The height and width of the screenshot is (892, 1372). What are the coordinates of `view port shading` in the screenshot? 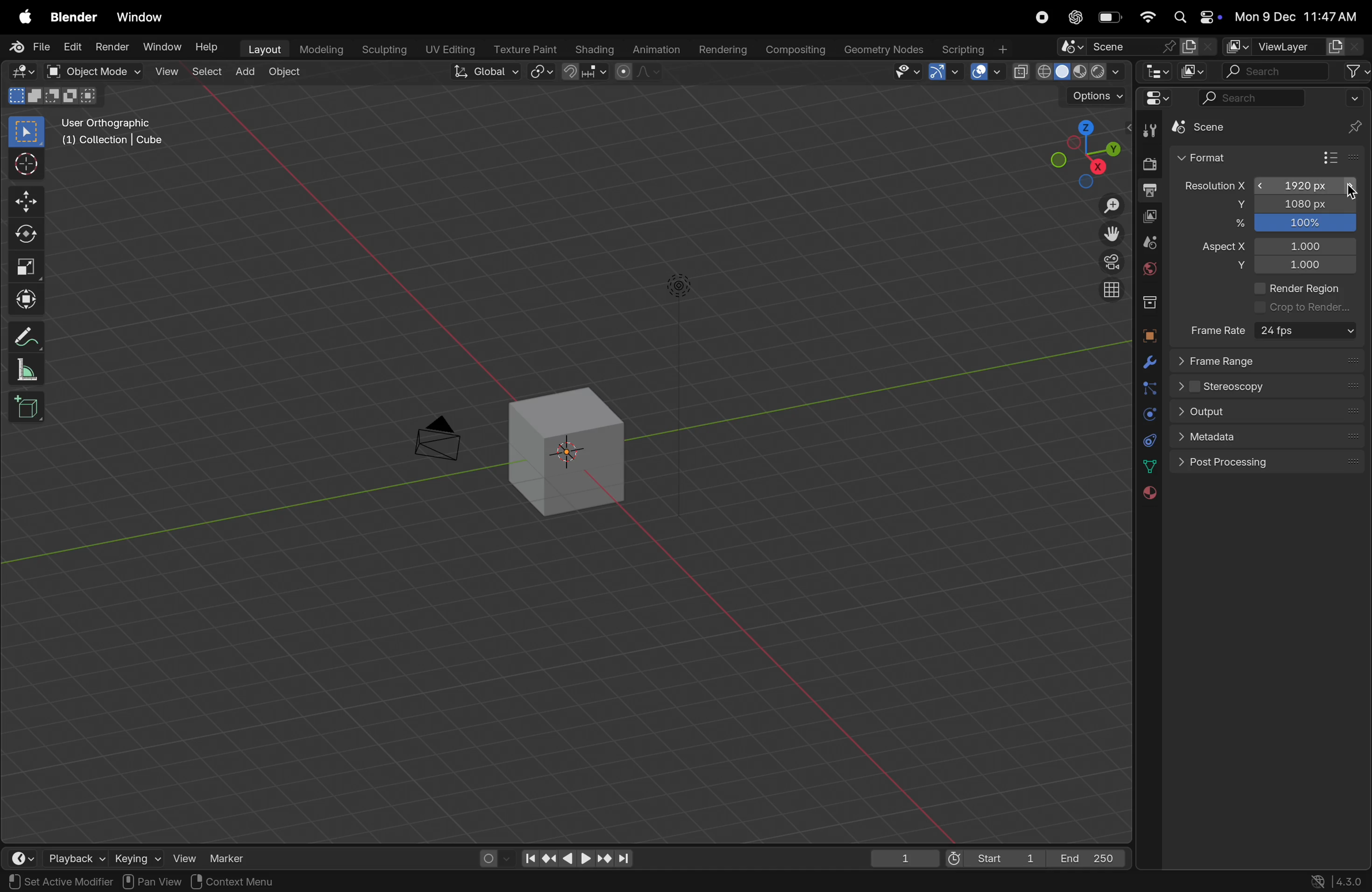 It's located at (1068, 72).